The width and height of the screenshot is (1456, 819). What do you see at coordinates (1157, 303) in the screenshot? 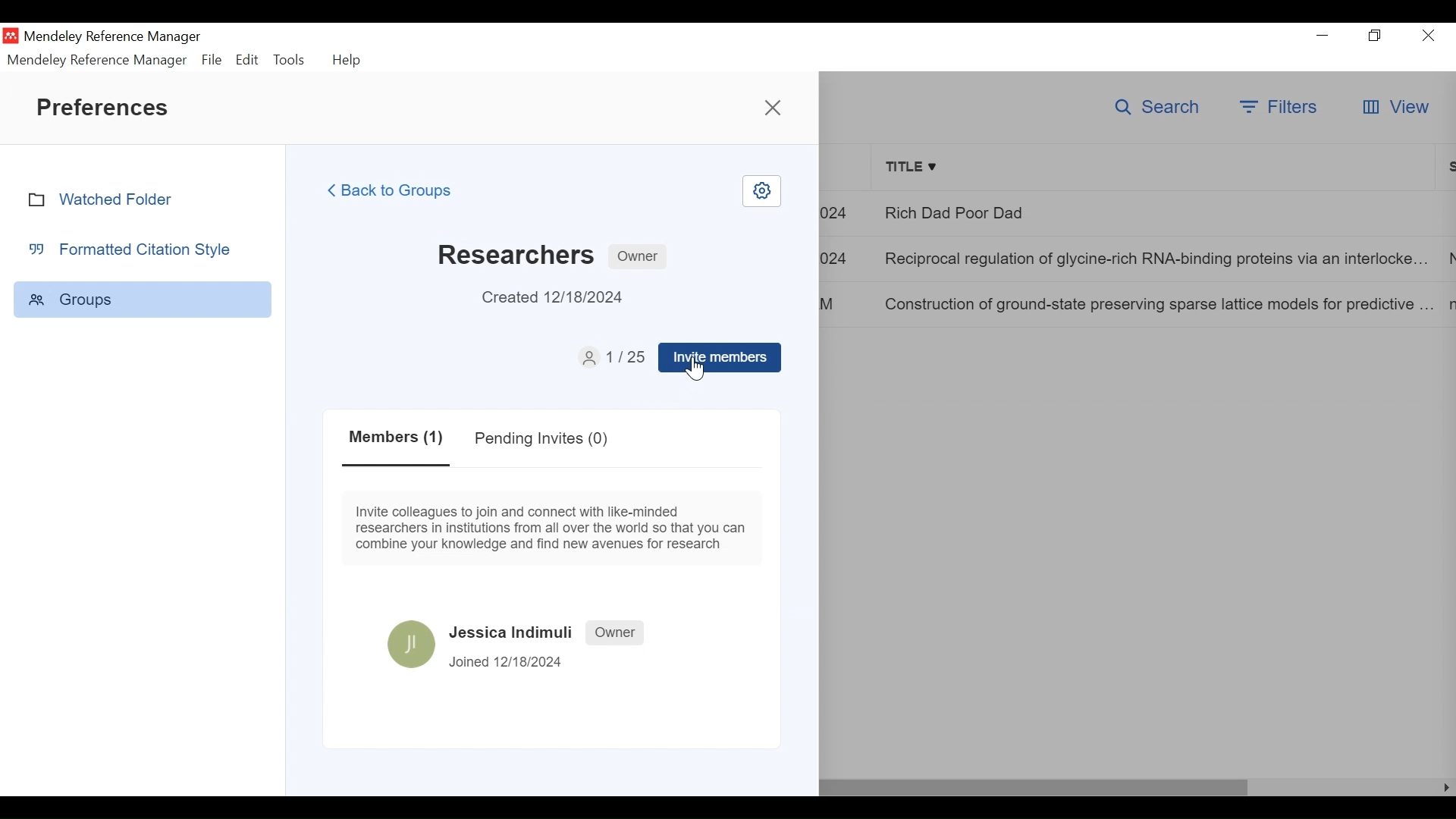
I see `Construction of ground-state preserving sparse lattice models for predictive..` at bounding box center [1157, 303].